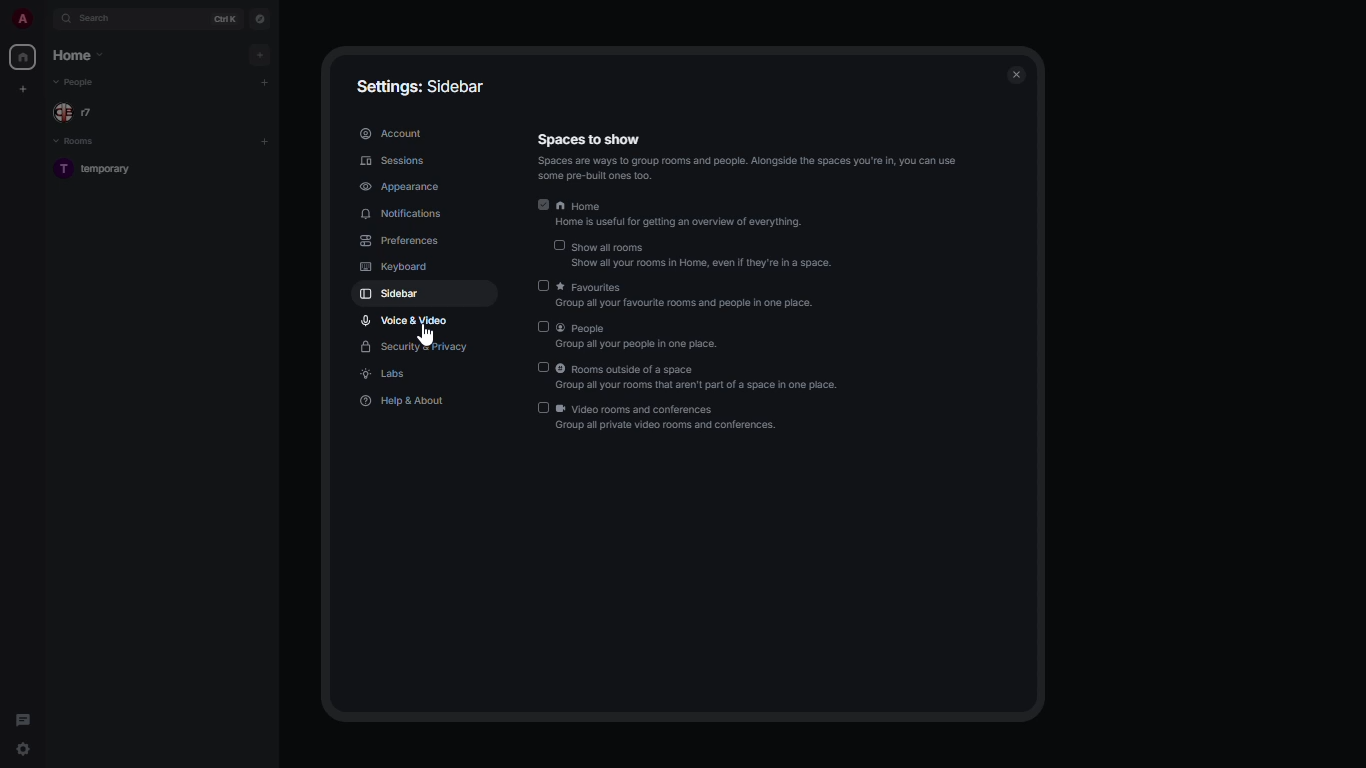 The image size is (1366, 768). Describe the element at coordinates (669, 419) in the screenshot. I see `video rooms and conferences` at that location.